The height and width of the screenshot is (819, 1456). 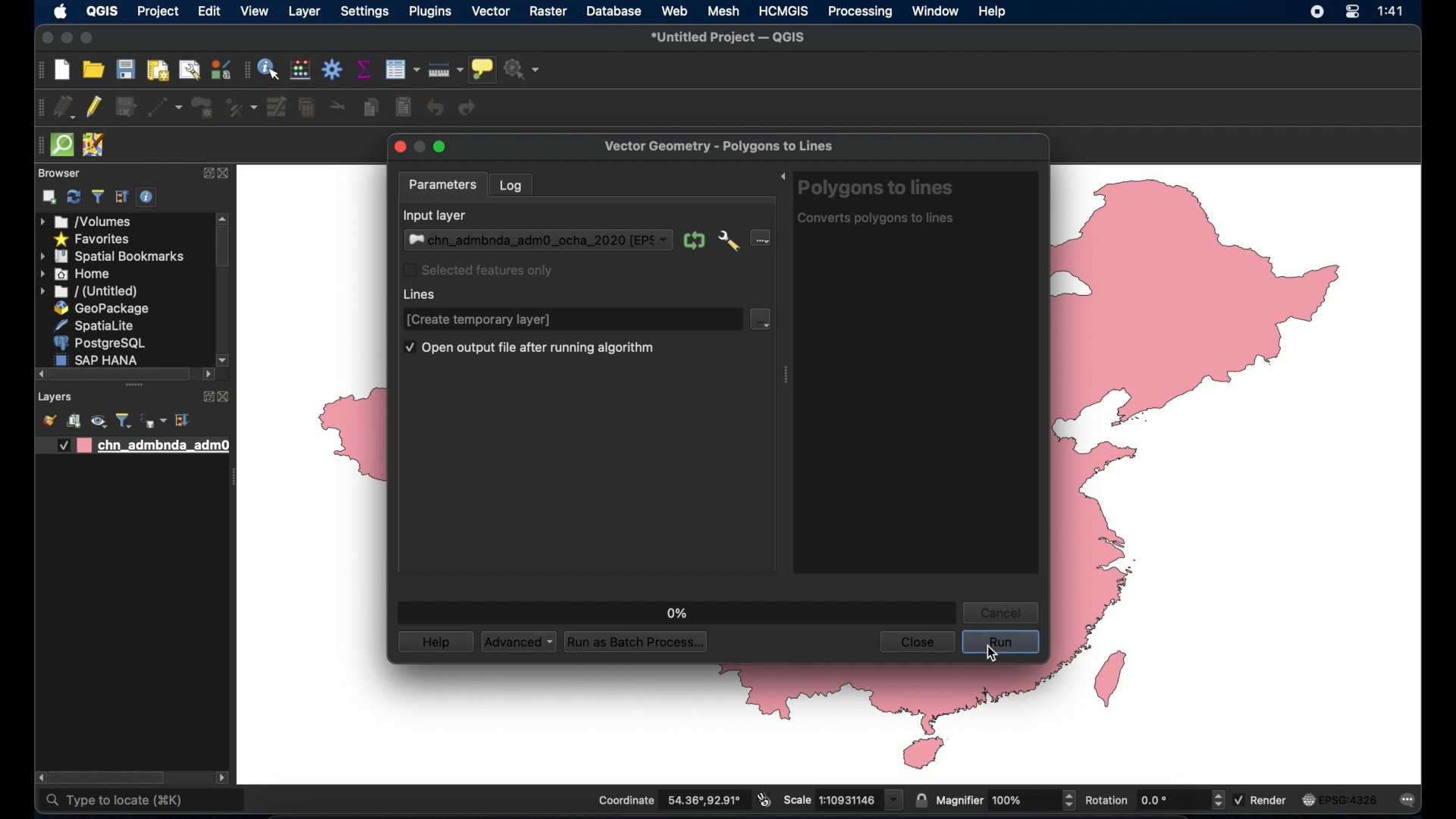 I want to click on close, so click(x=224, y=174).